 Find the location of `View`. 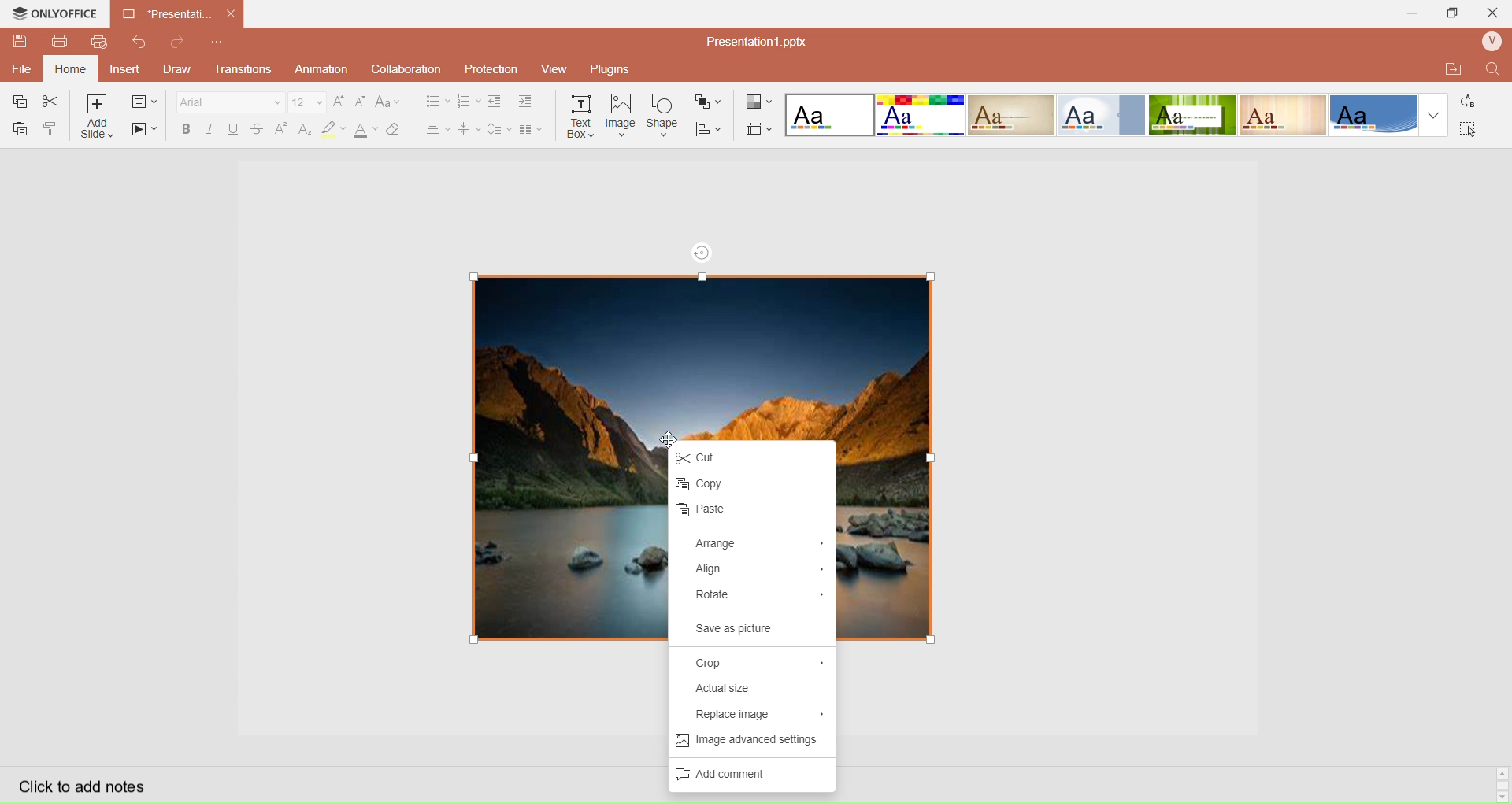

View is located at coordinates (556, 70).